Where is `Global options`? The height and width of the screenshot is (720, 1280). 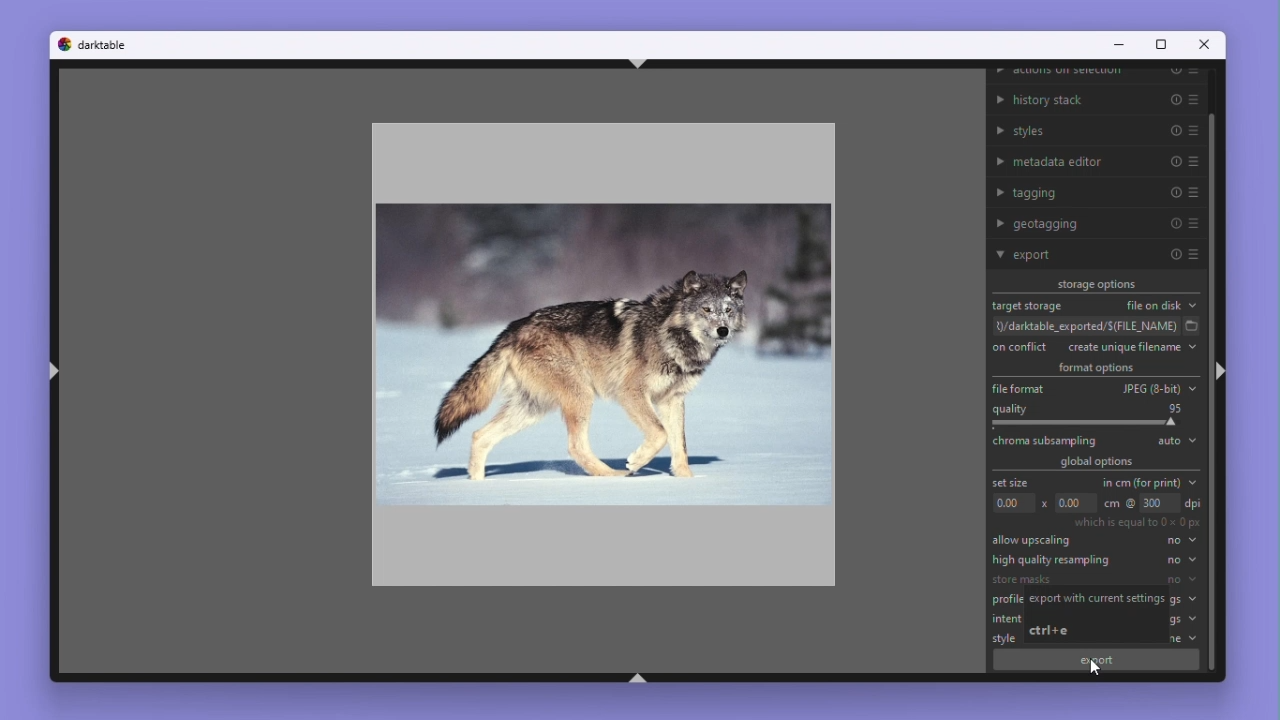 Global options is located at coordinates (1096, 462).